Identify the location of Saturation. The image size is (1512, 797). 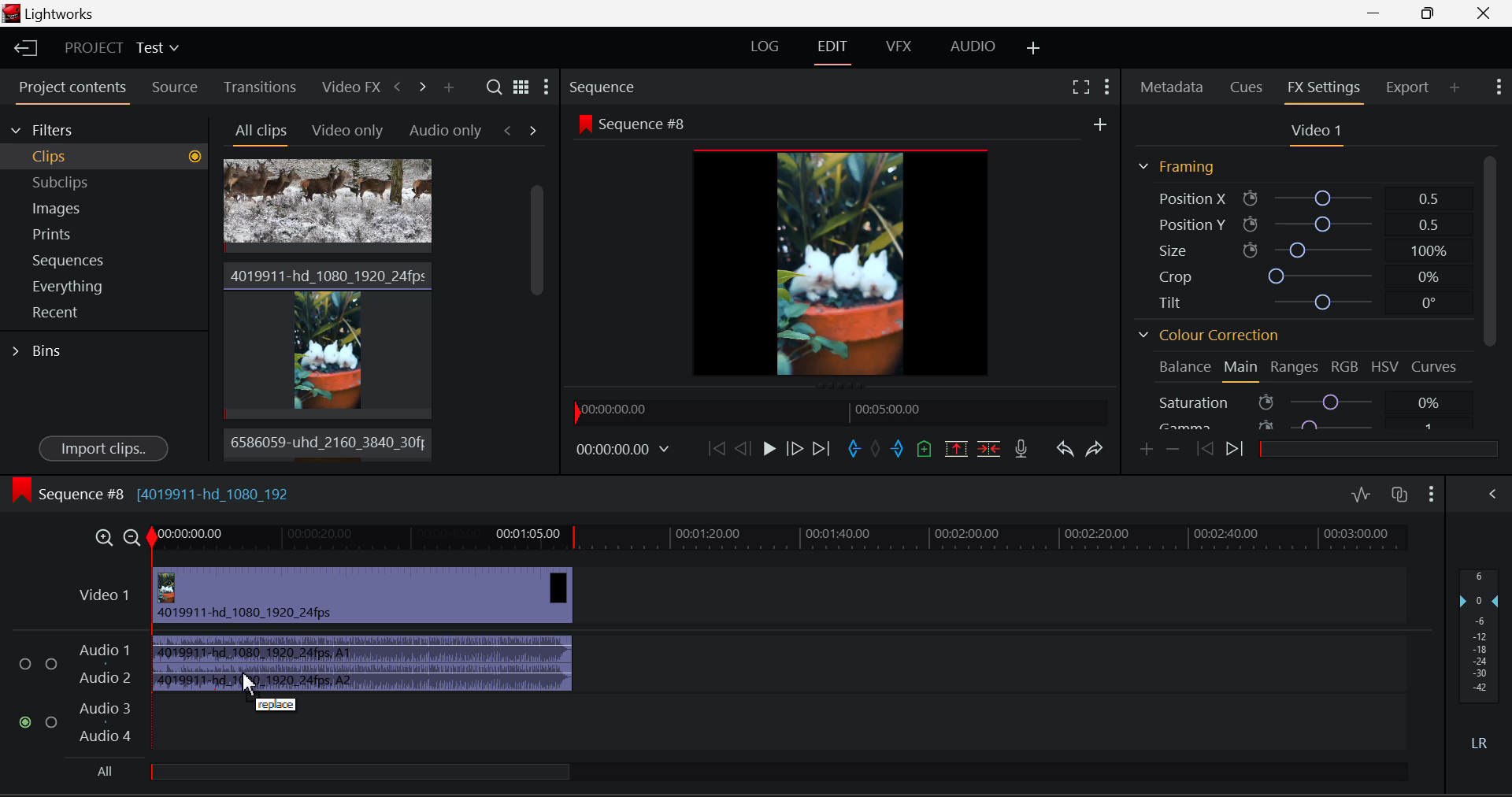
(1310, 402).